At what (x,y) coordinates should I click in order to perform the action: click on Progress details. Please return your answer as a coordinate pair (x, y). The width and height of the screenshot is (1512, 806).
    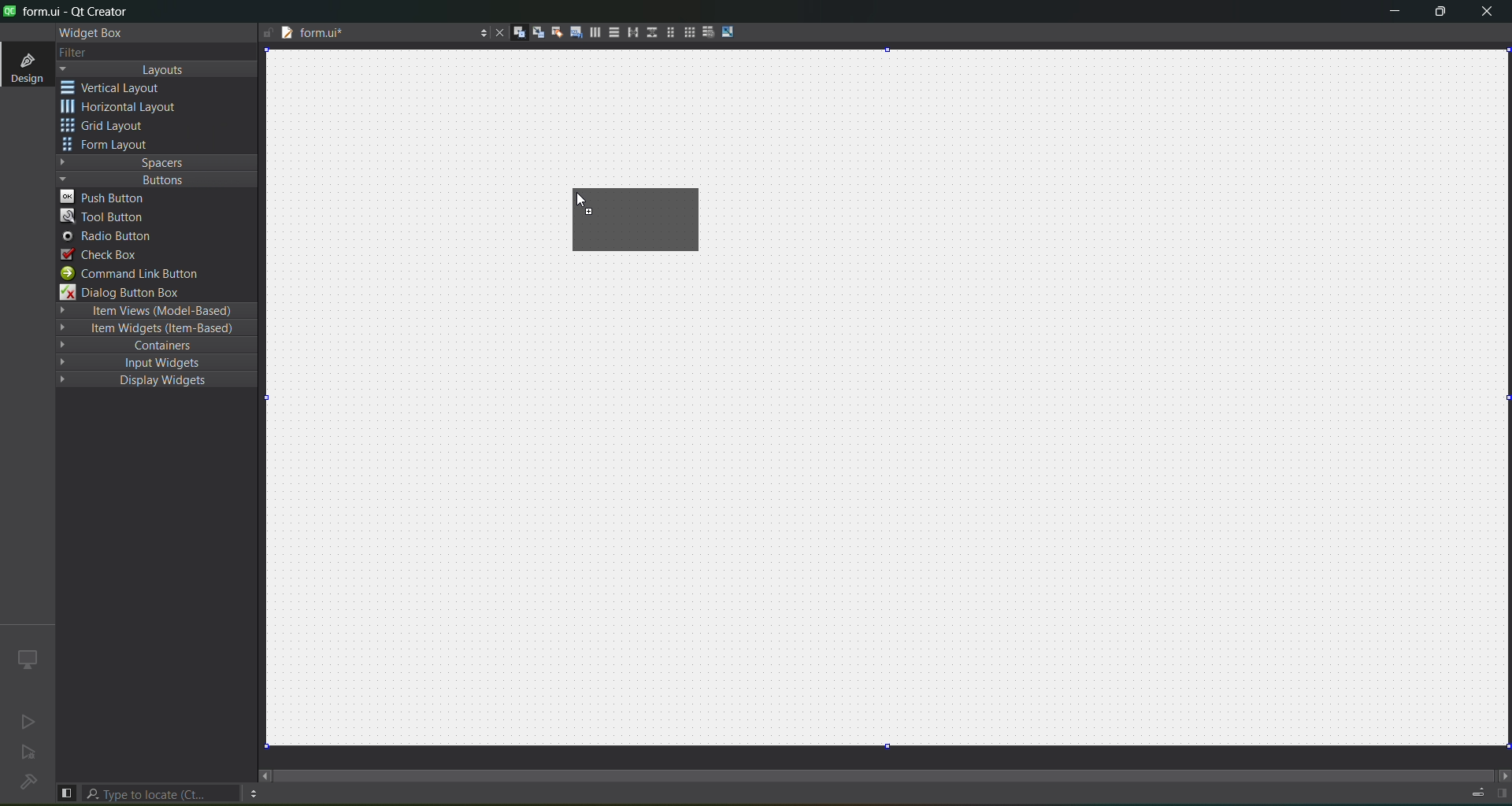
    Looking at the image, I should click on (1470, 790).